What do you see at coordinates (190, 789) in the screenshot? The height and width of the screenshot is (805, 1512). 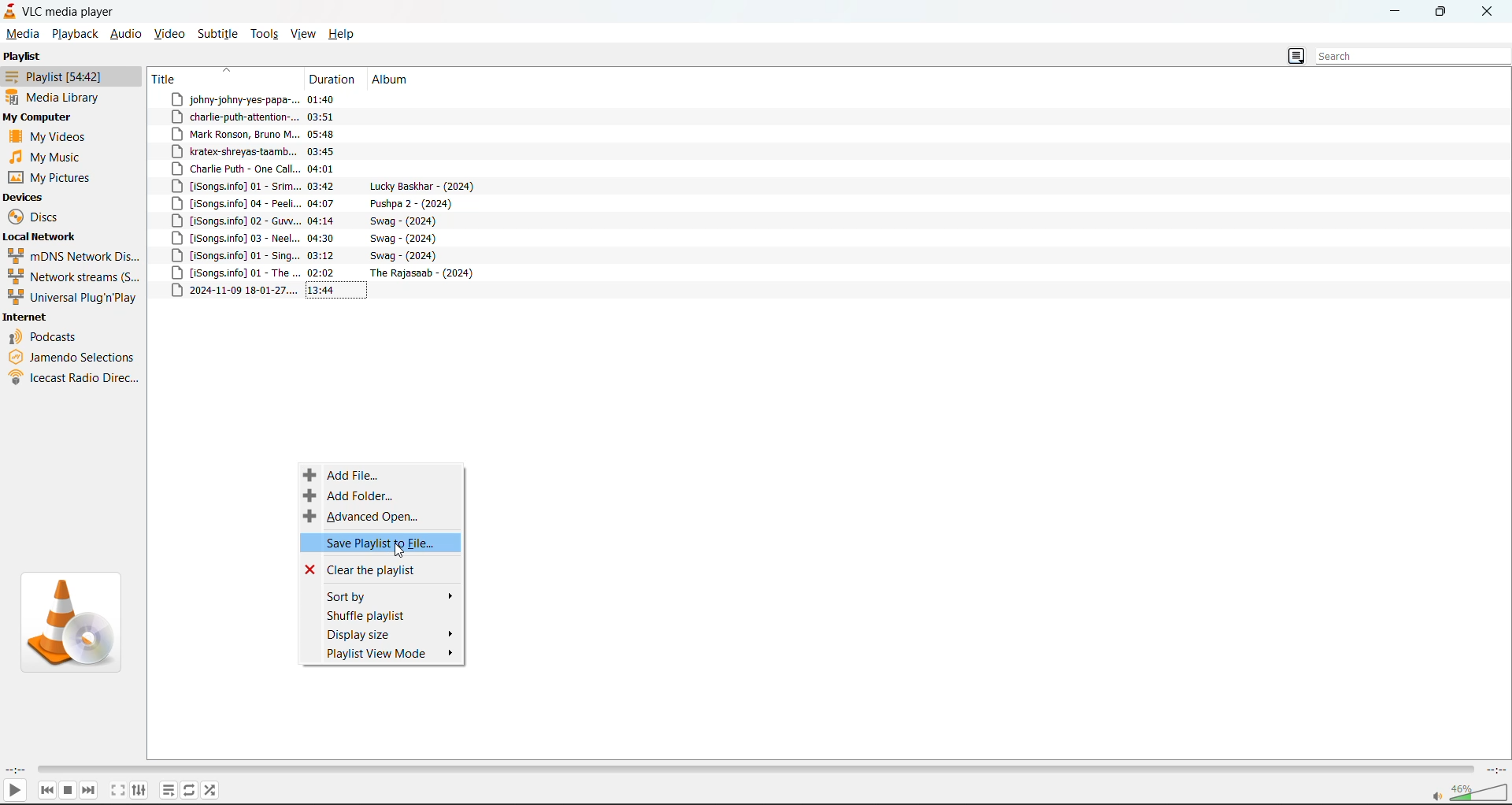 I see `loop` at bounding box center [190, 789].